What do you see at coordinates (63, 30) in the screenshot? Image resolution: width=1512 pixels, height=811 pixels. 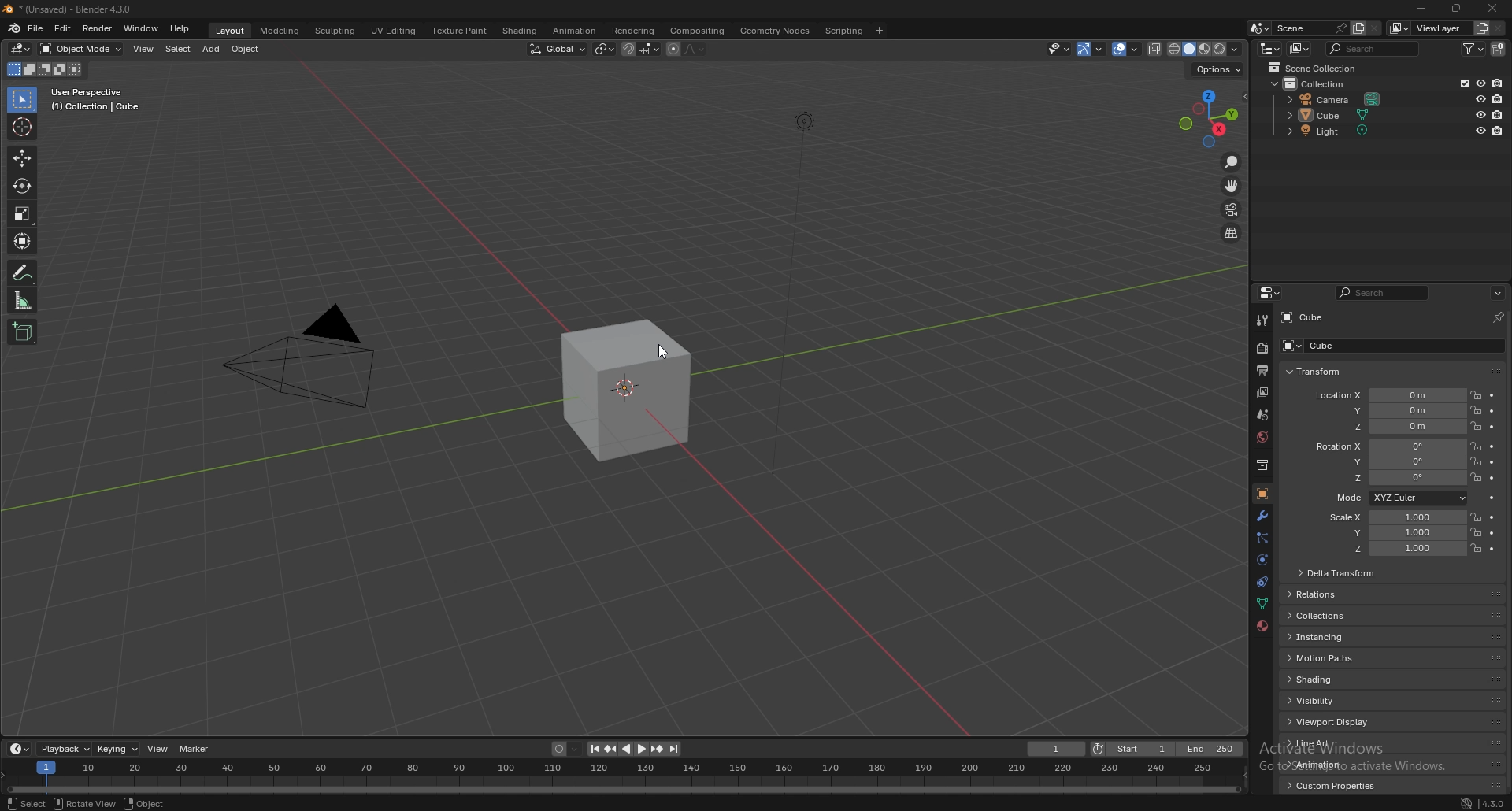 I see `edit` at bounding box center [63, 30].